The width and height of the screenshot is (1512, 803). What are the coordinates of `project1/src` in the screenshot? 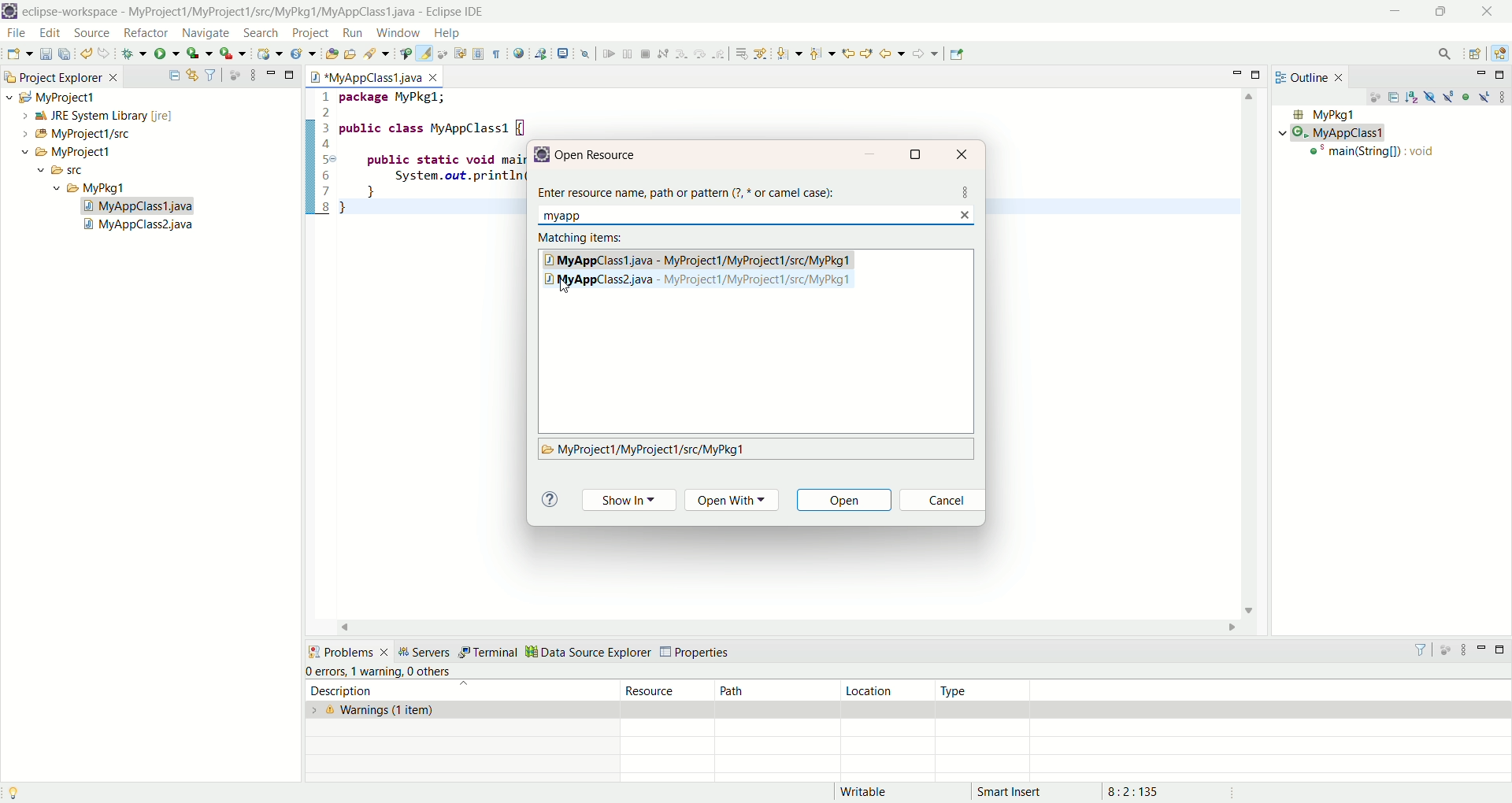 It's located at (69, 134).